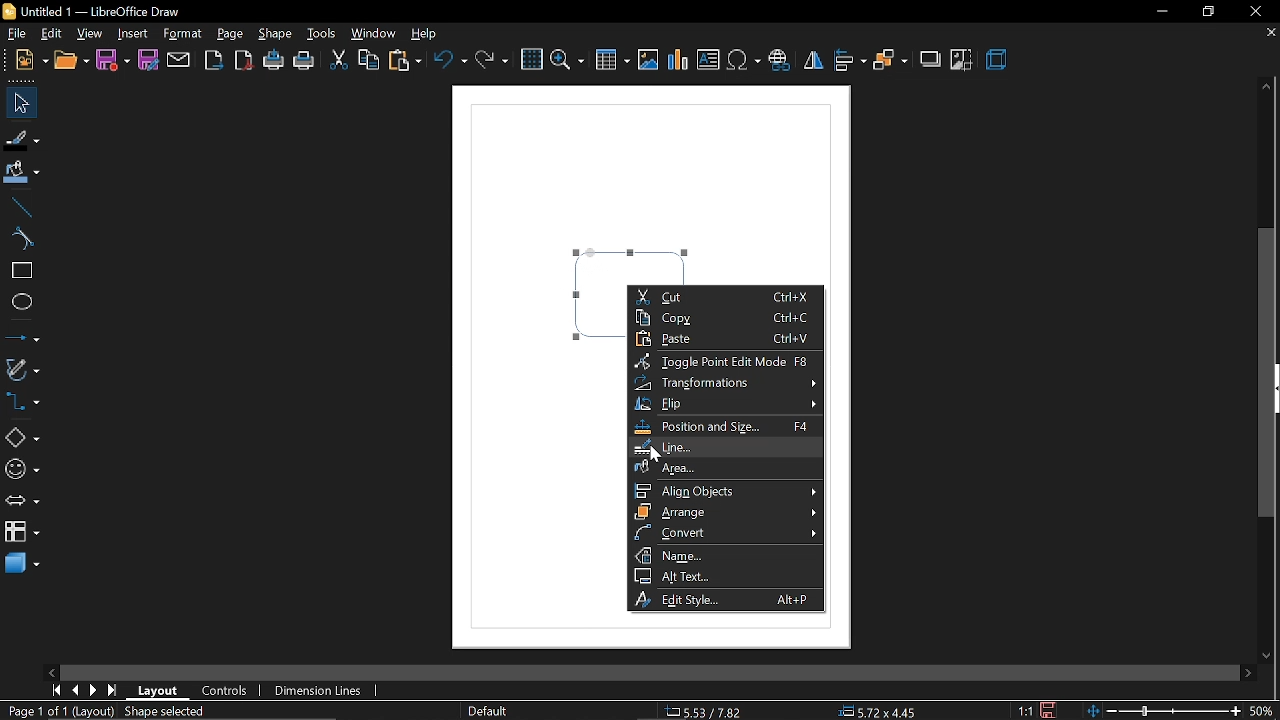  What do you see at coordinates (22, 208) in the screenshot?
I see `line` at bounding box center [22, 208].